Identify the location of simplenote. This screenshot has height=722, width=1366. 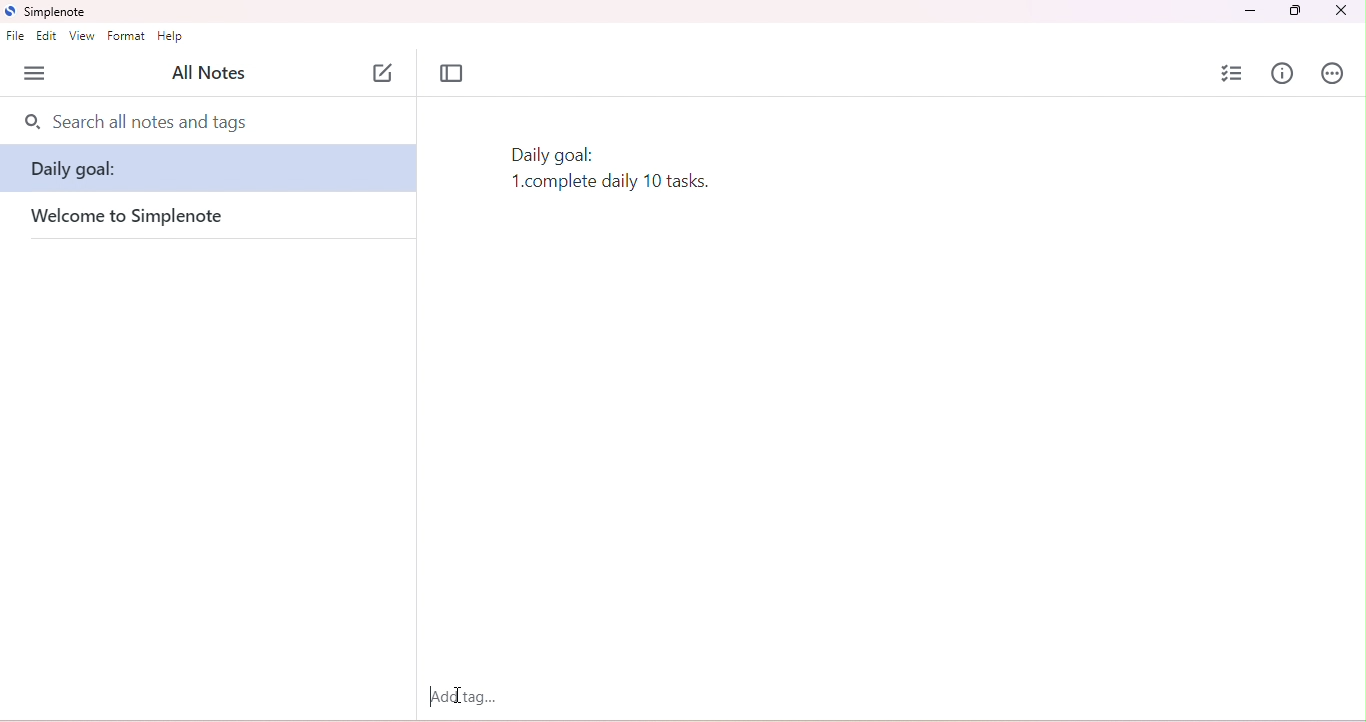
(49, 12).